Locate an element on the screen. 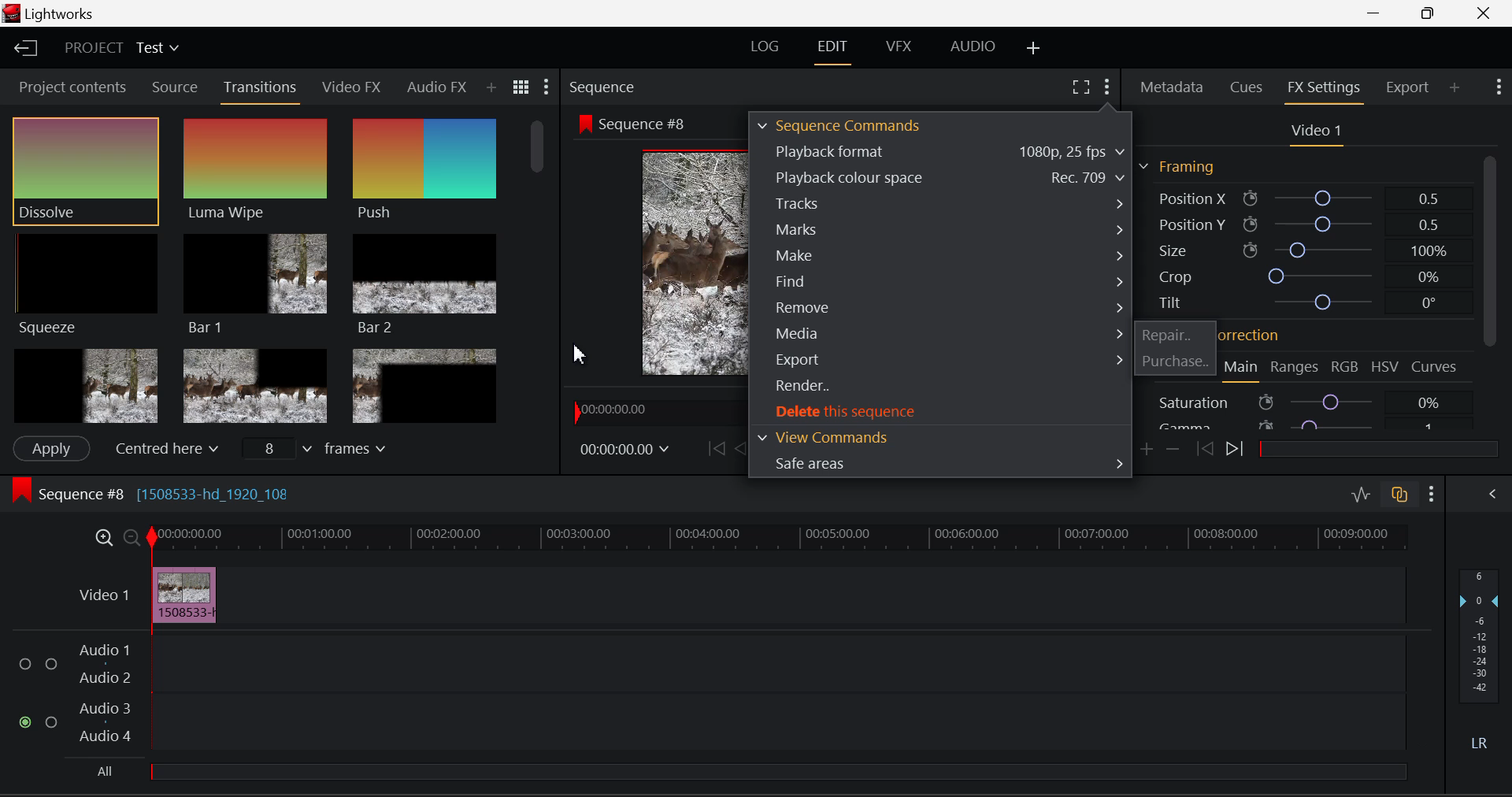 The width and height of the screenshot is (1512, 797). Saturation is located at coordinates (1303, 402).